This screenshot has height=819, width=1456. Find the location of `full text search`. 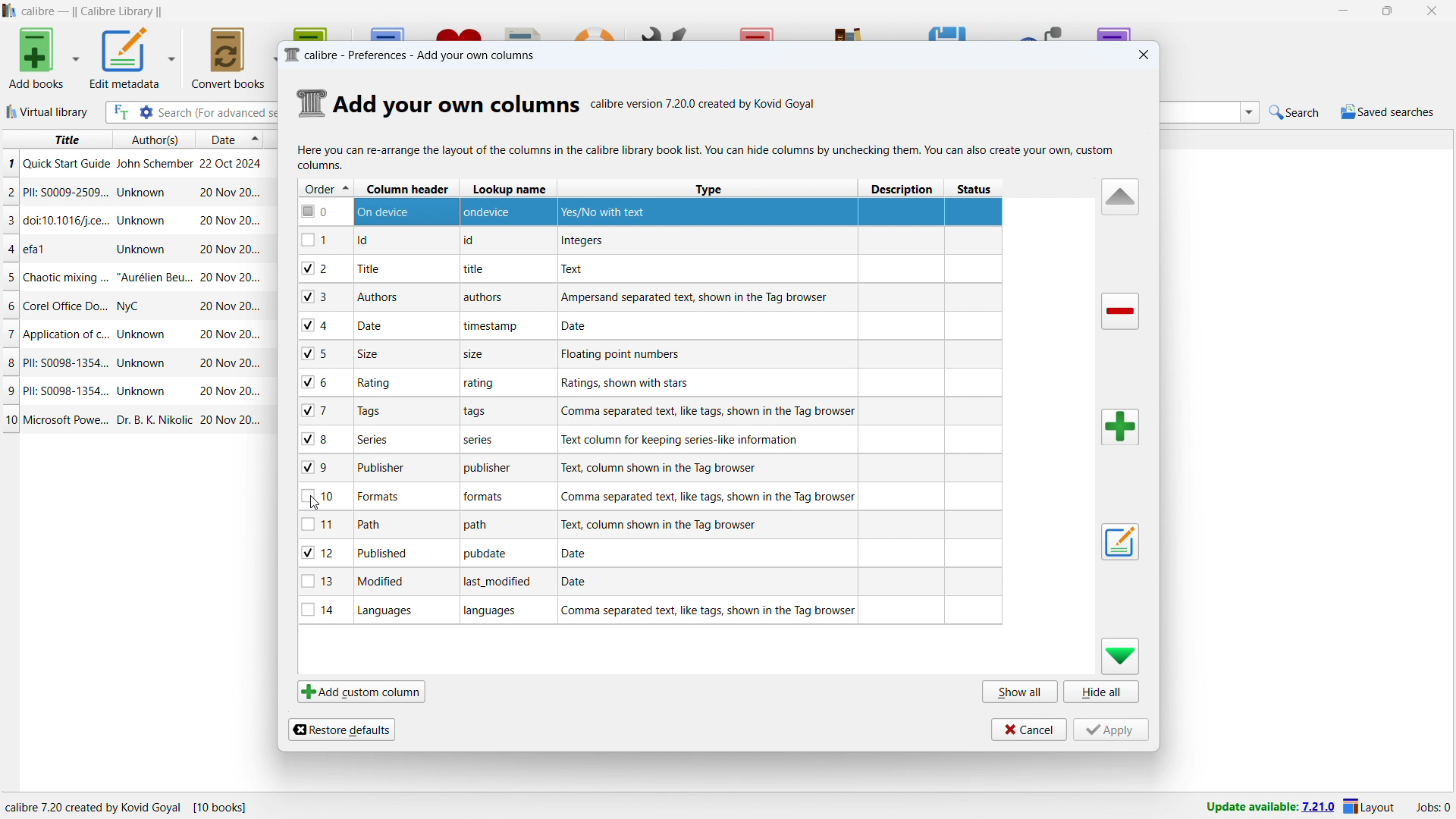

full text search is located at coordinates (121, 112).